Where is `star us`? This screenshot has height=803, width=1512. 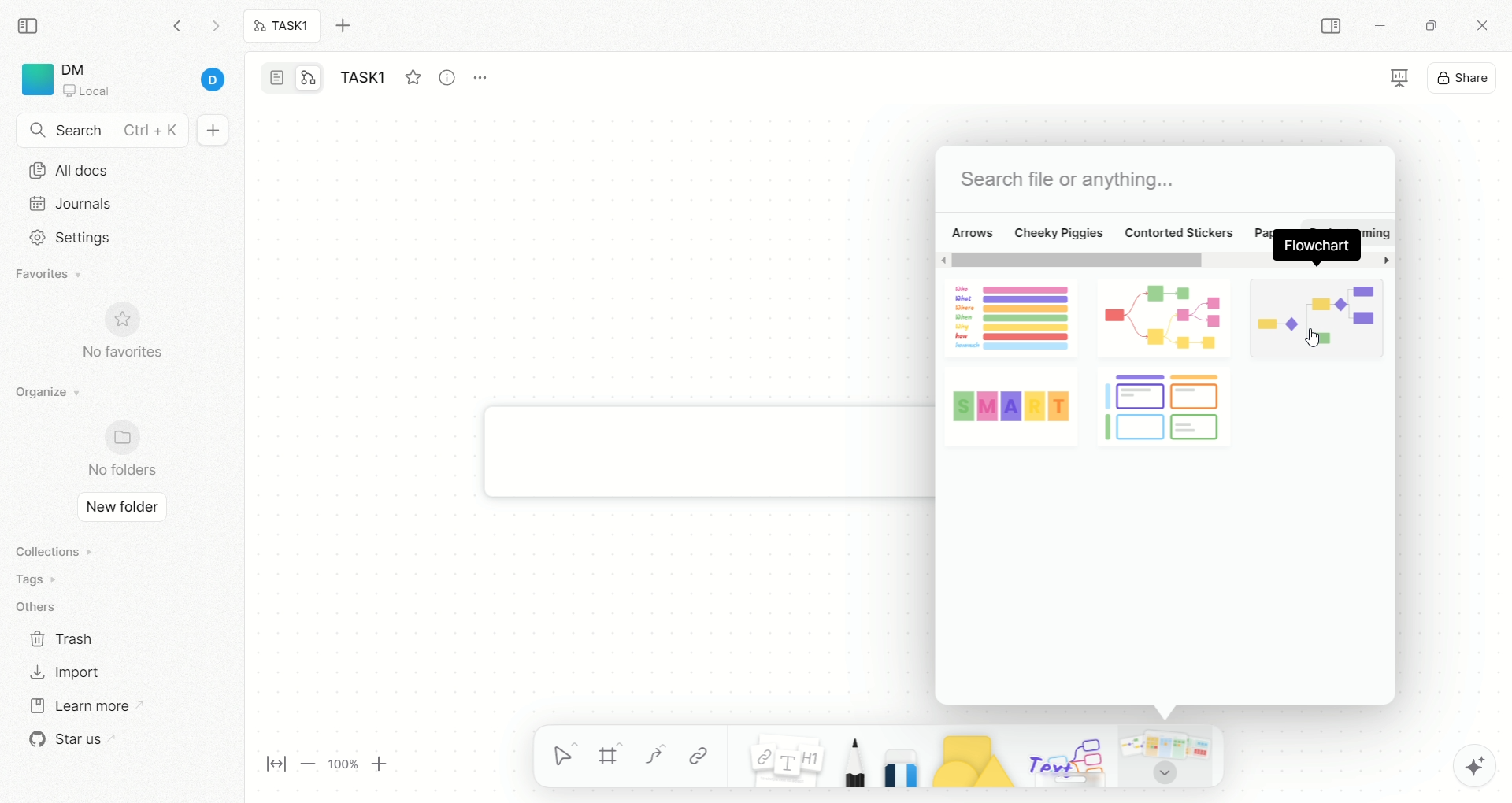
star us is located at coordinates (67, 739).